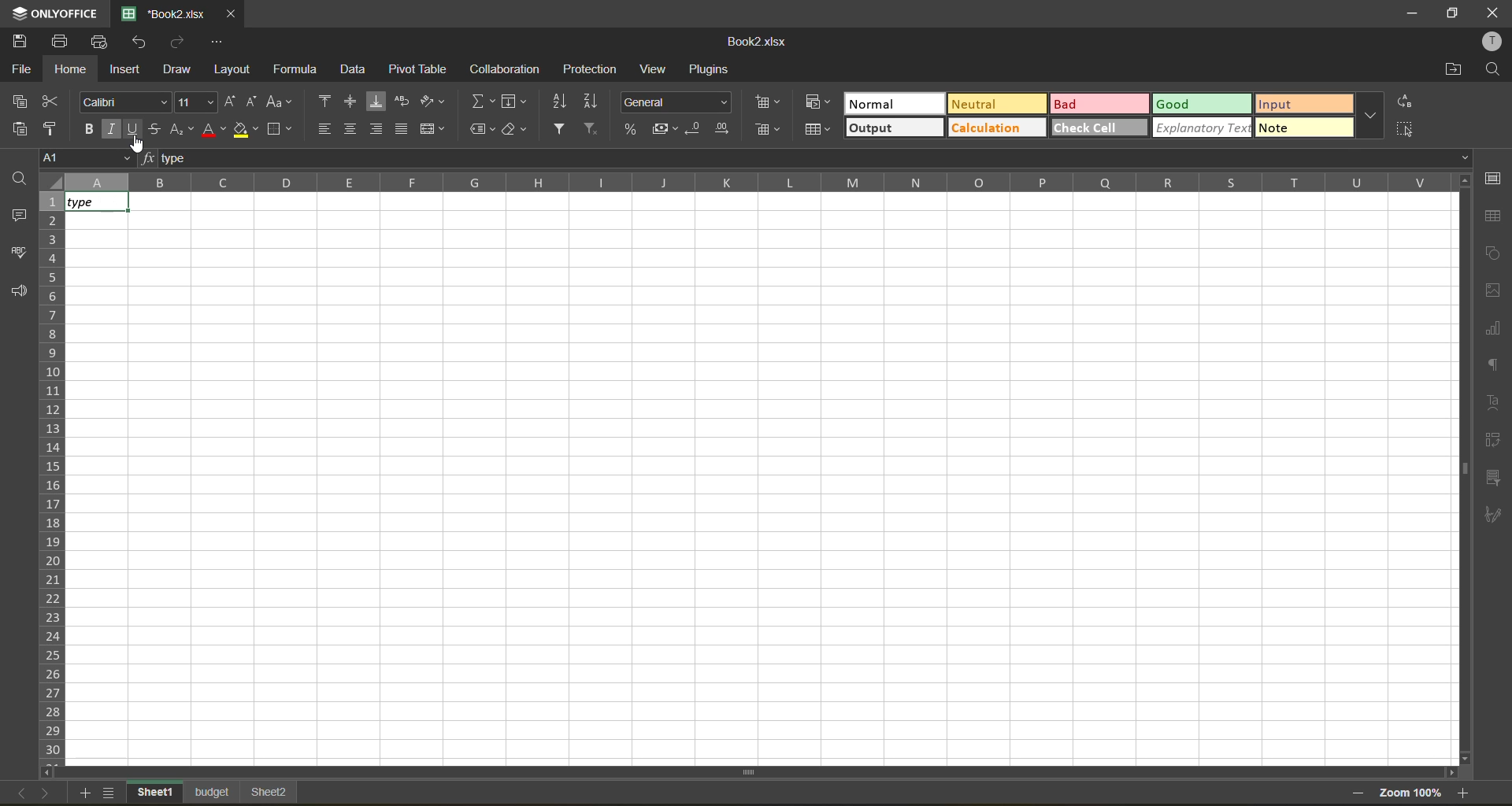  Describe the element at coordinates (22, 176) in the screenshot. I see `find` at that location.